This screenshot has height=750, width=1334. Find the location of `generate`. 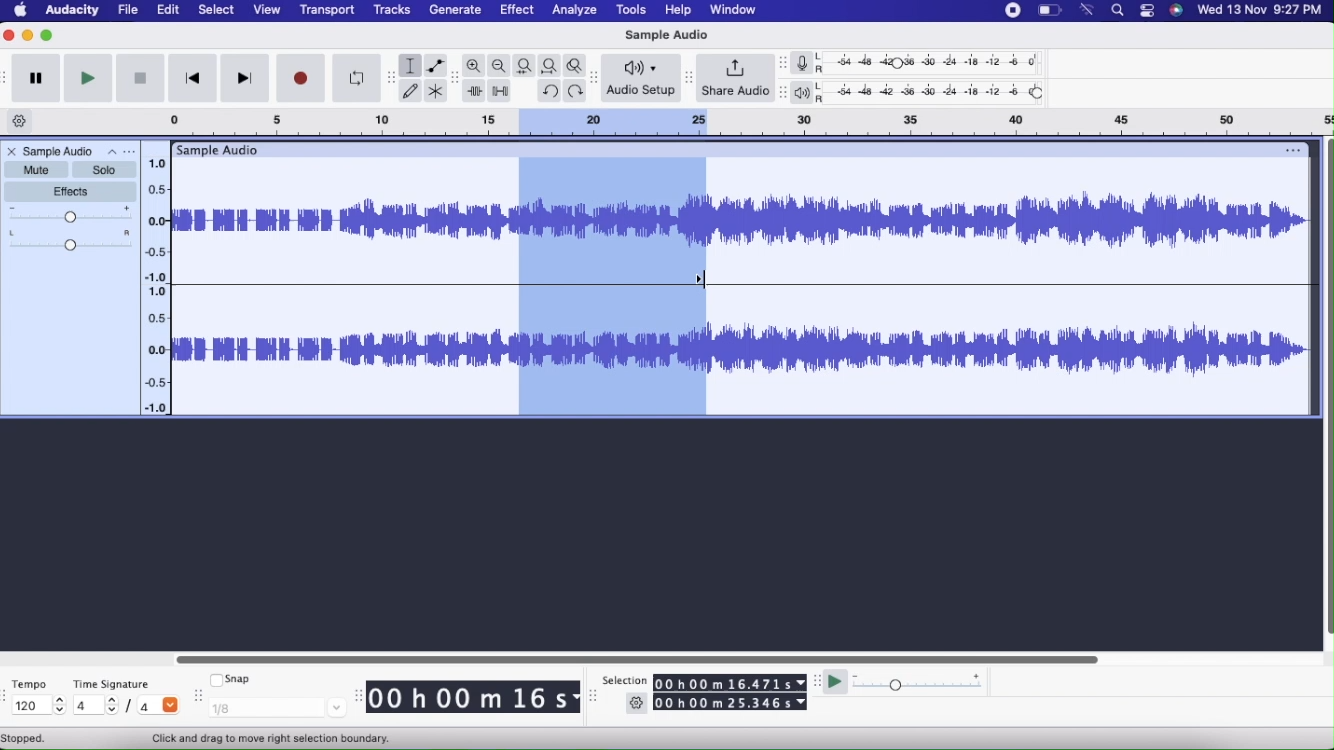

generate is located at coordinates (454, 10).